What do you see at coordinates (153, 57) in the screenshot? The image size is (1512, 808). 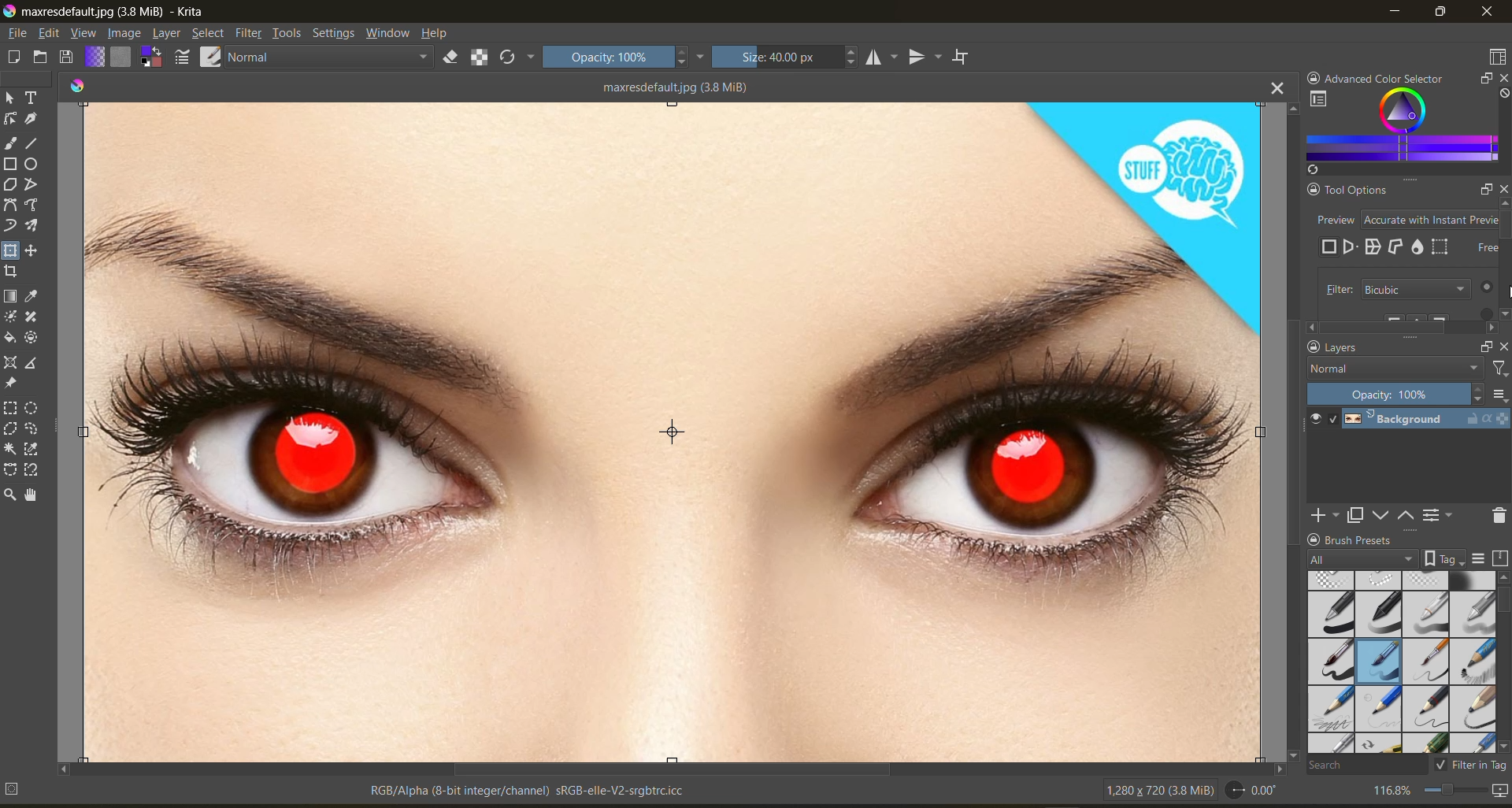 I see `swap foreground and background color` at bounding box center [153, 57].